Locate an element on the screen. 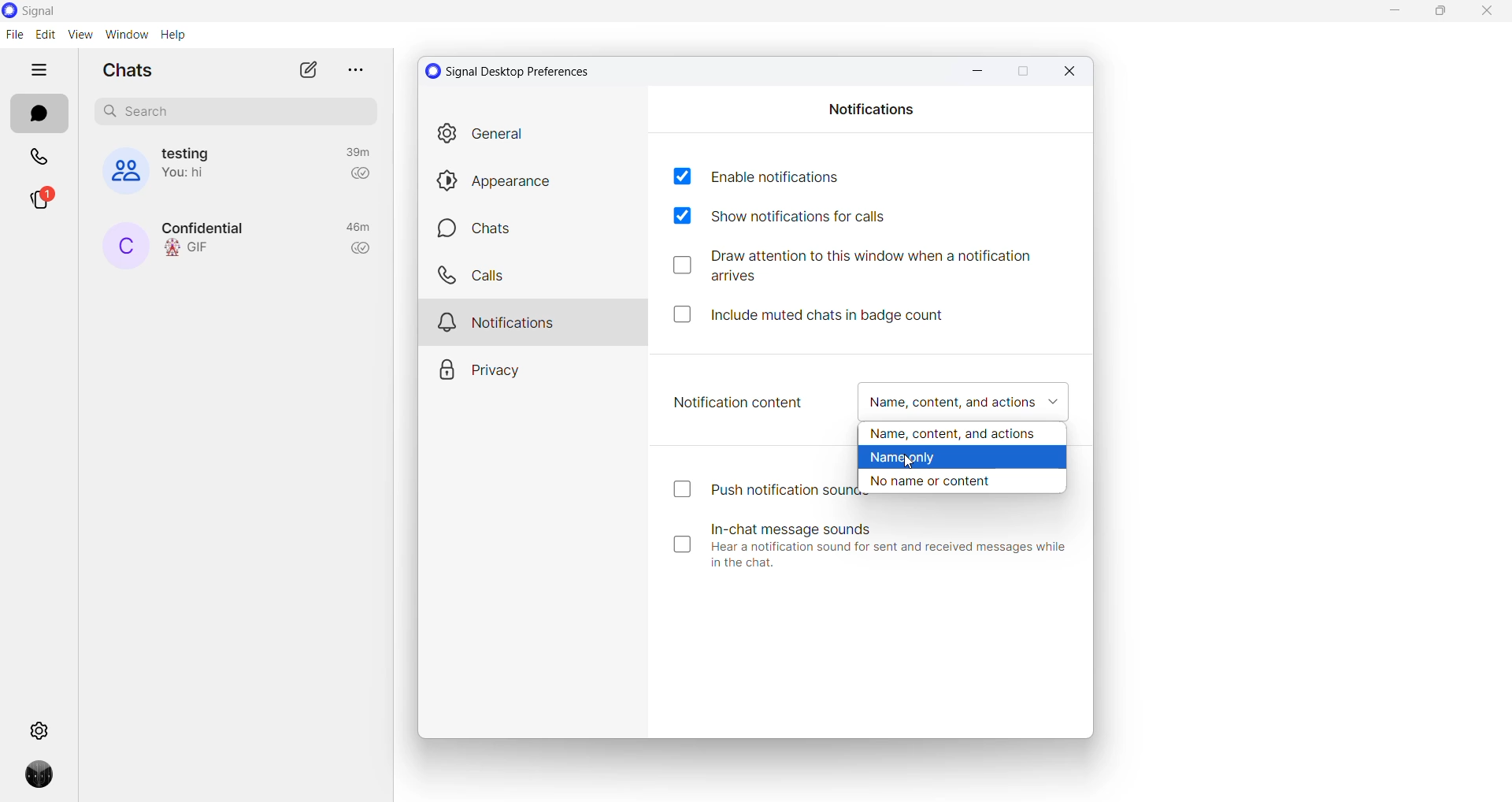 The image size is (1512, 802). notification content checkbox is located at coordinates (968, 402).